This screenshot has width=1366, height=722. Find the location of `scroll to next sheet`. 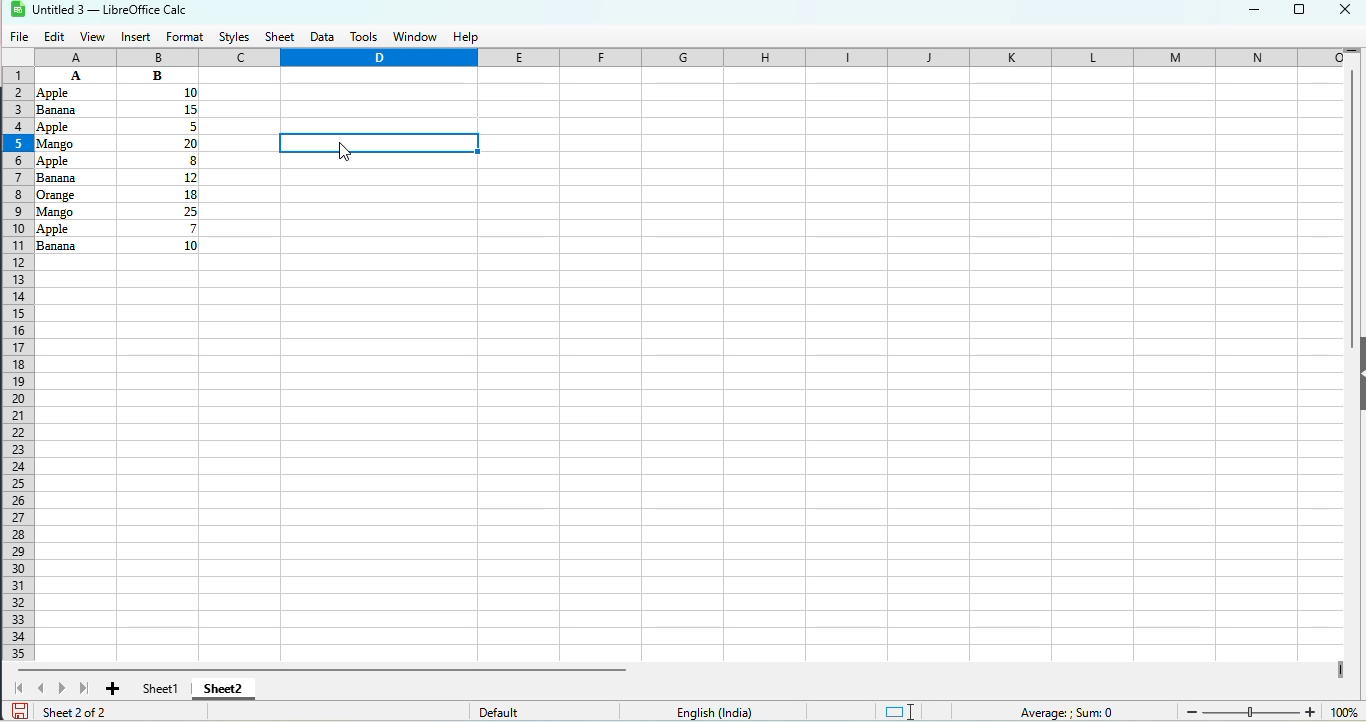

scroll to next sheet is located at coordinates (64, 688).